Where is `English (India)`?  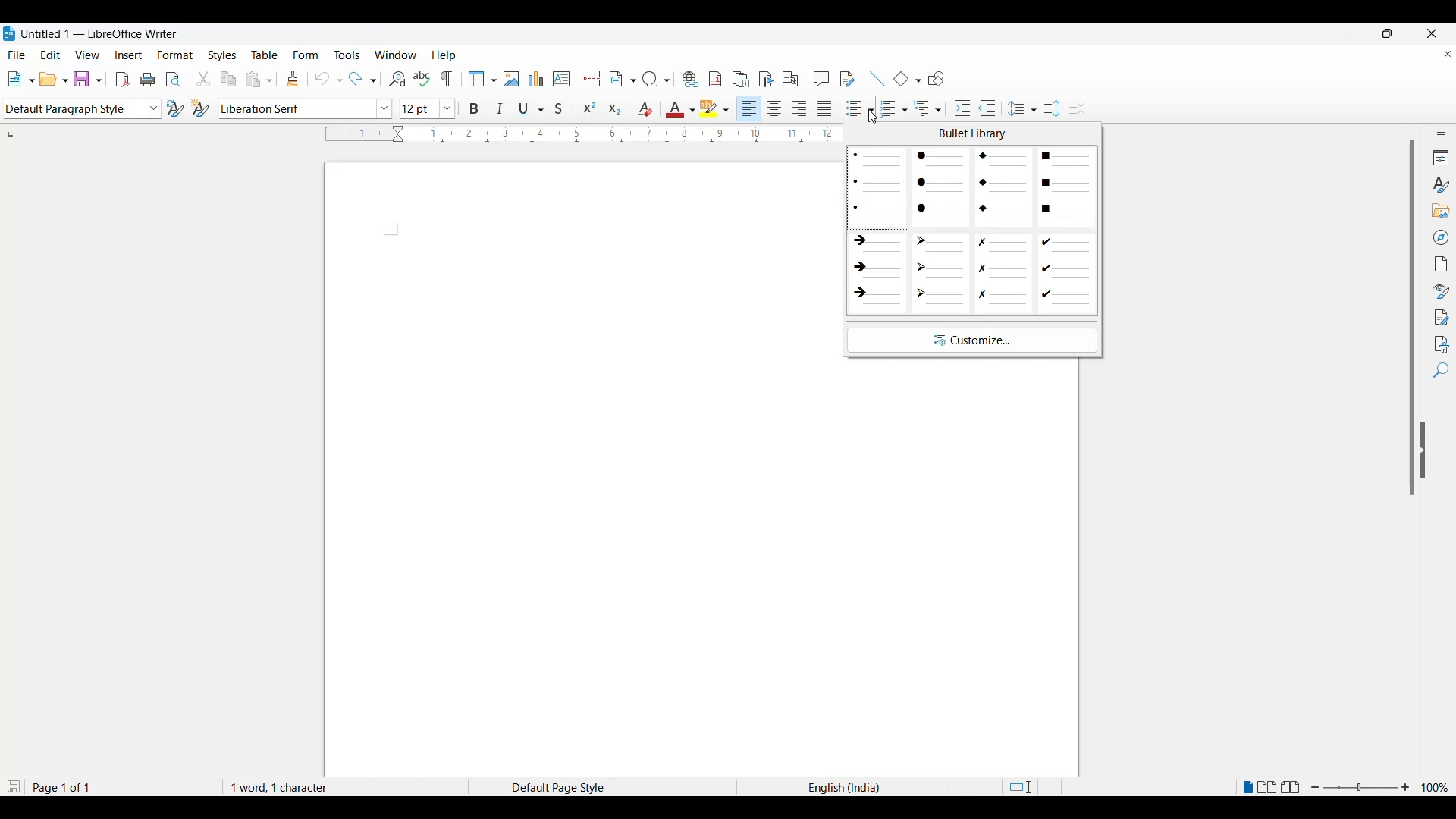 English (India) is located at coordinates (853, 786).